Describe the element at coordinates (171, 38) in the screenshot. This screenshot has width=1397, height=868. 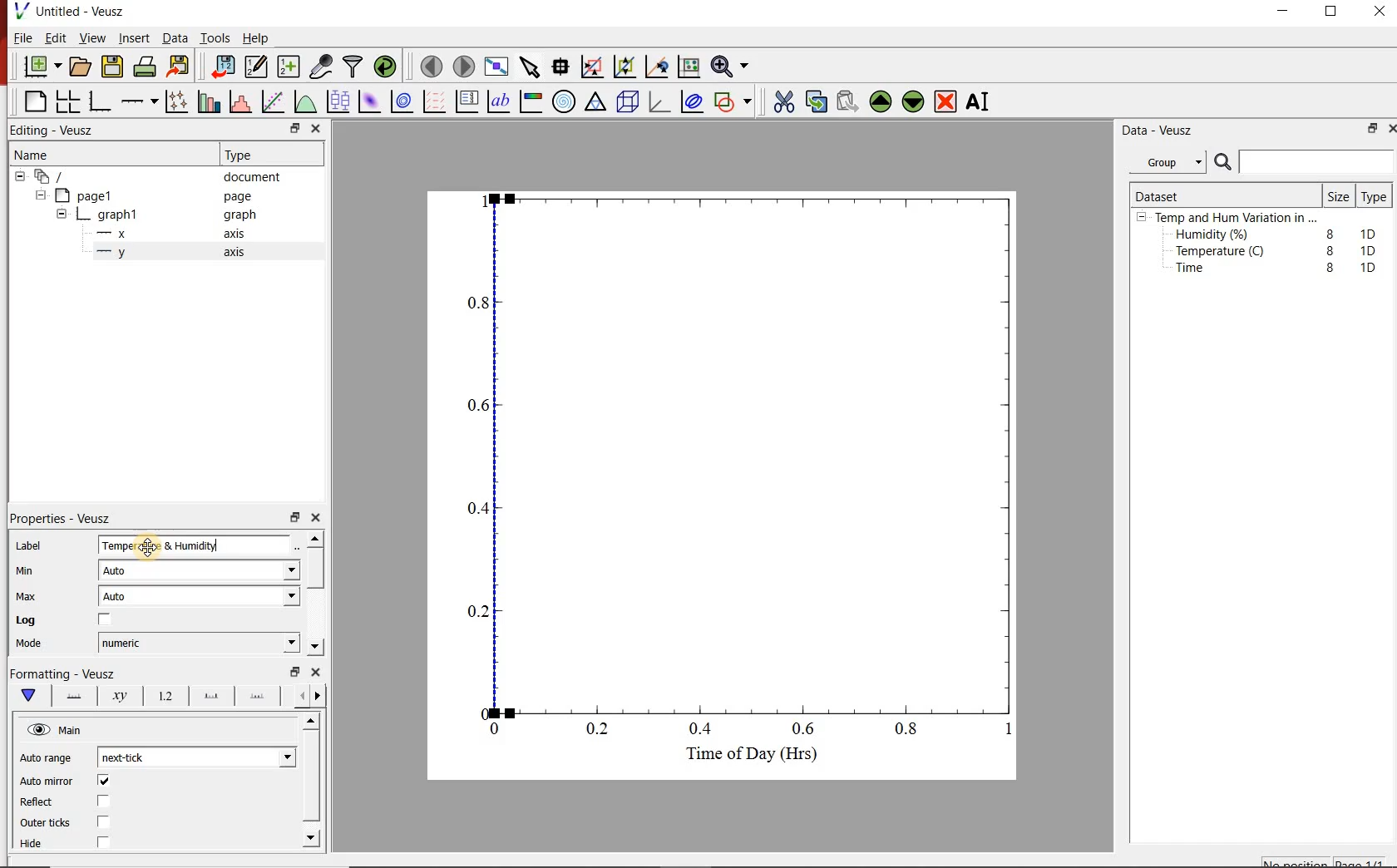
I see `Data` at that location.